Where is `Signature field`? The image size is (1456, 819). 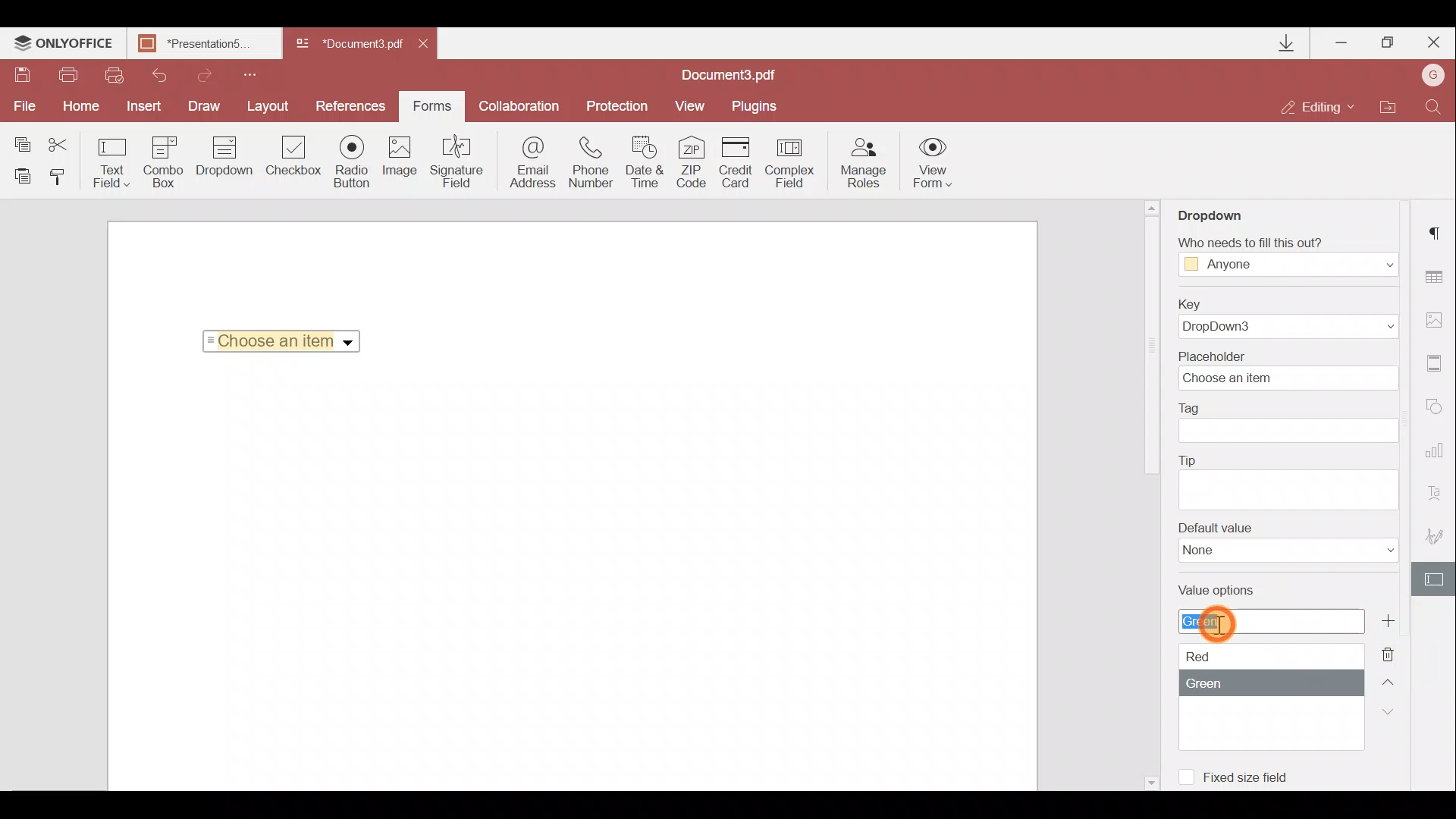 Signature field is located at coordinates (459, 165).